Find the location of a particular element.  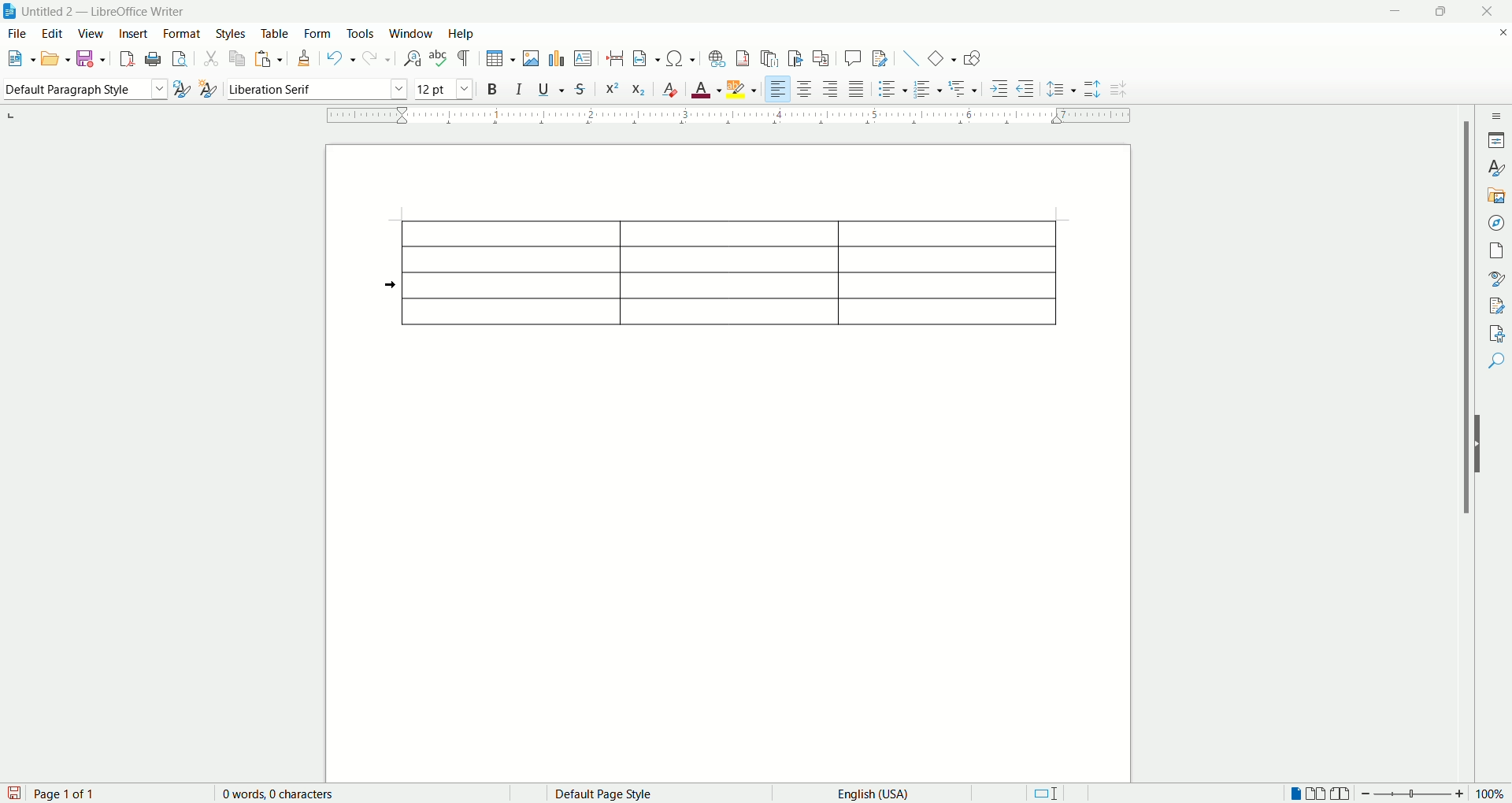

window is located at coordinates (412, 32).